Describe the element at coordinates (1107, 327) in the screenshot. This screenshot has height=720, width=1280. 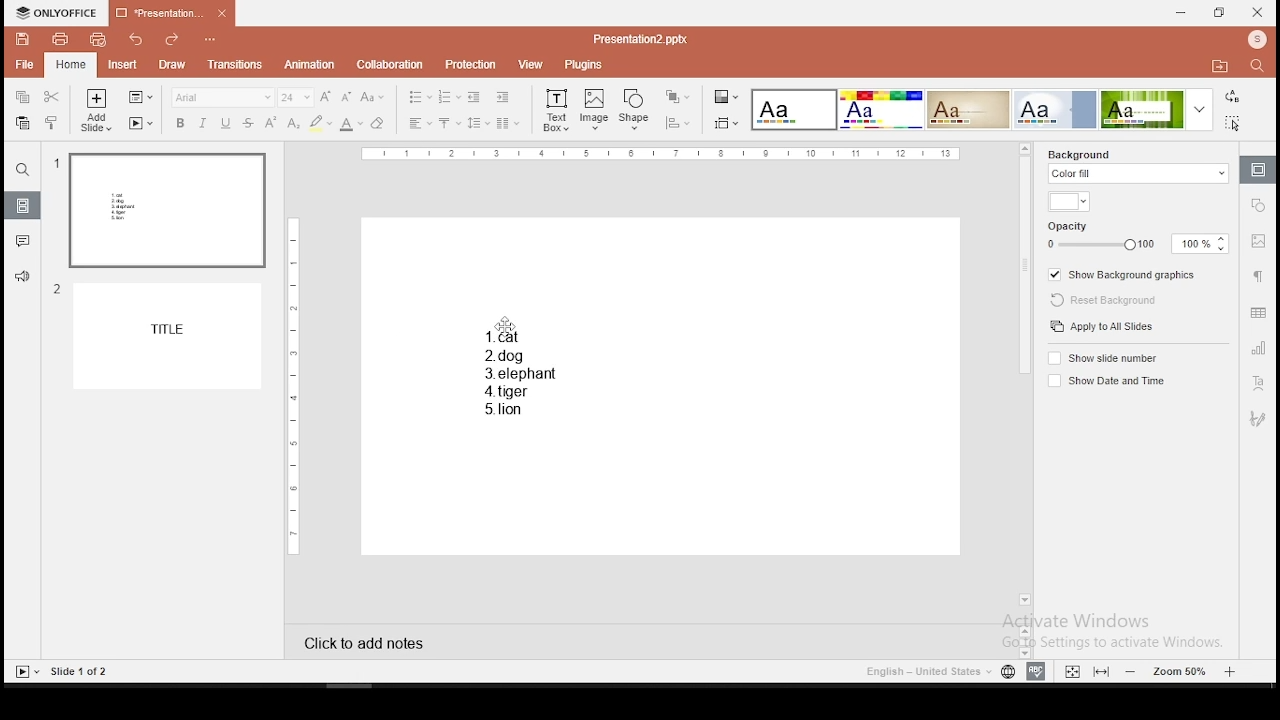
I see `apply to all slides` at that location.